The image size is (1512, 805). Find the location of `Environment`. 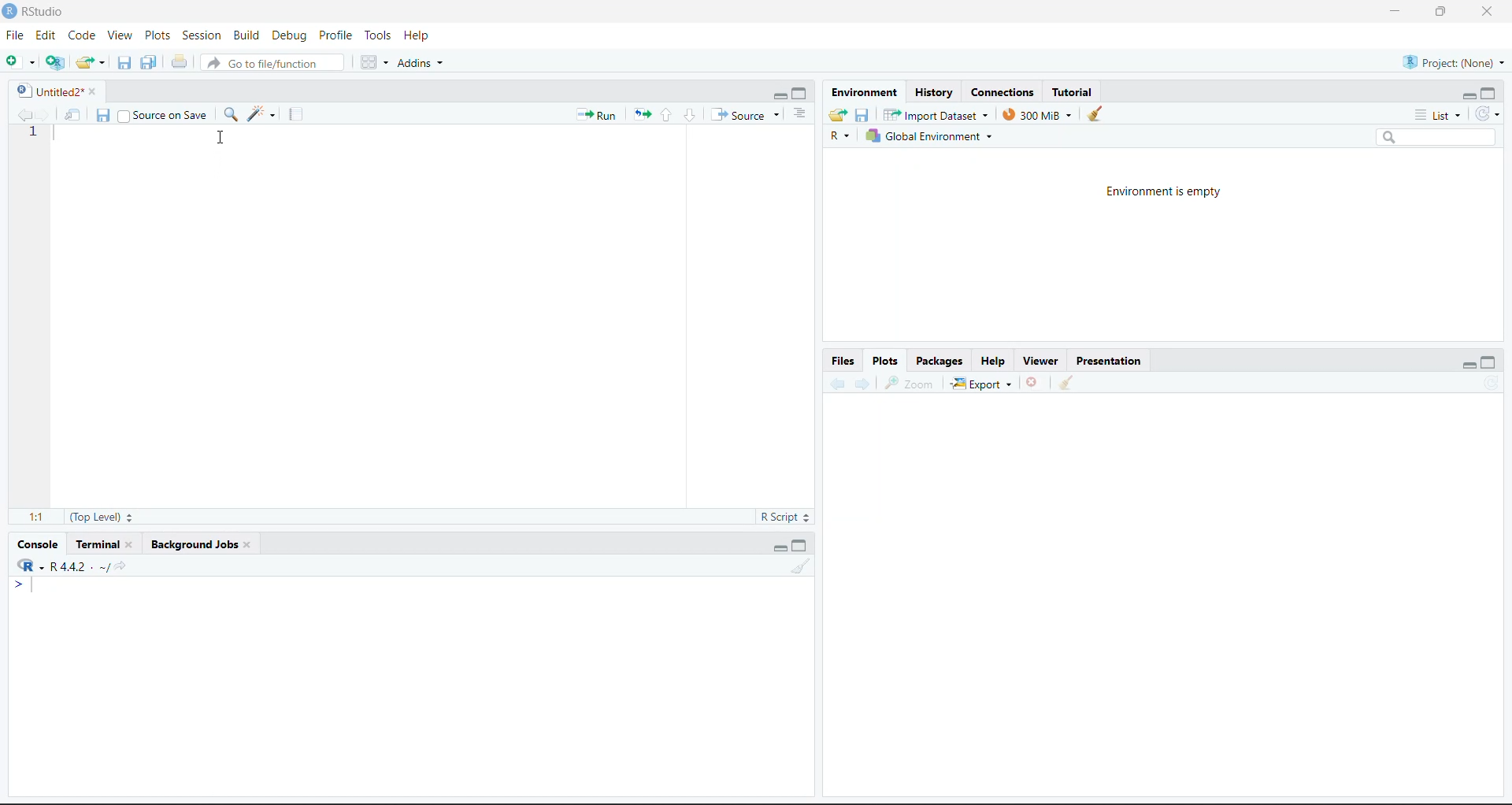

Environment is located at coordinates (862, 94).